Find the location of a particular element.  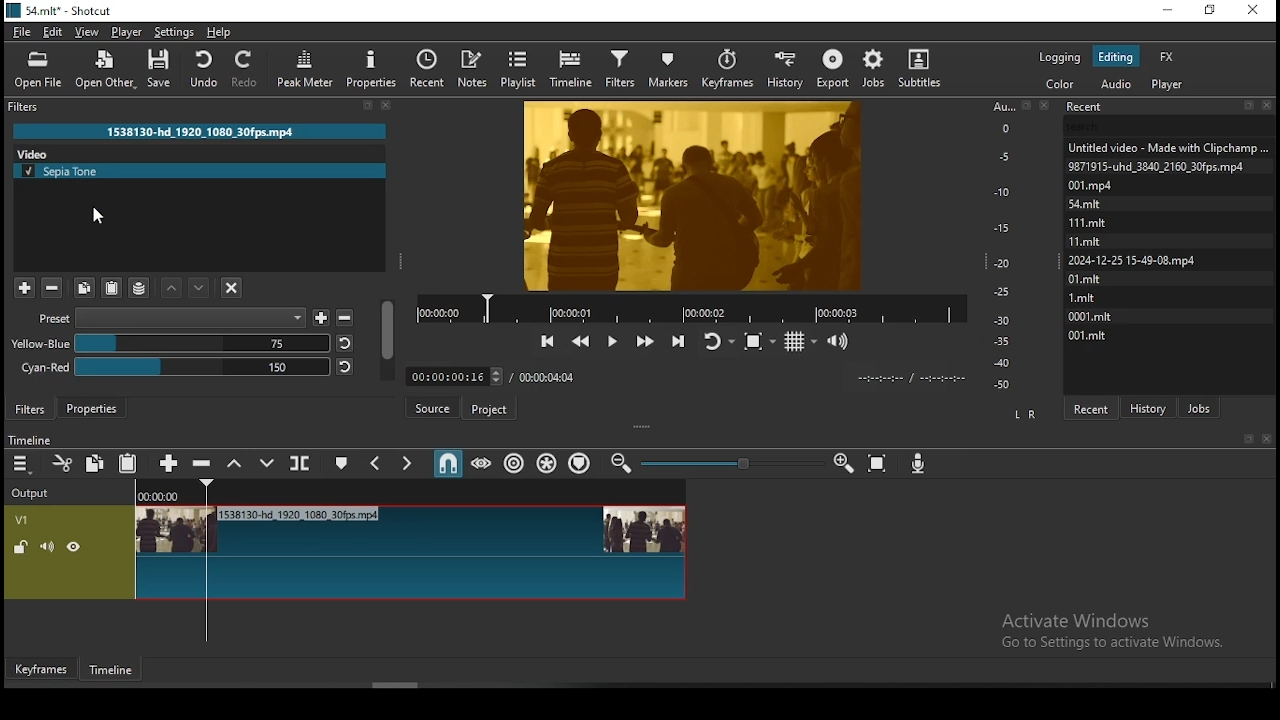

deselect filter is located at coordinates (231, 289).